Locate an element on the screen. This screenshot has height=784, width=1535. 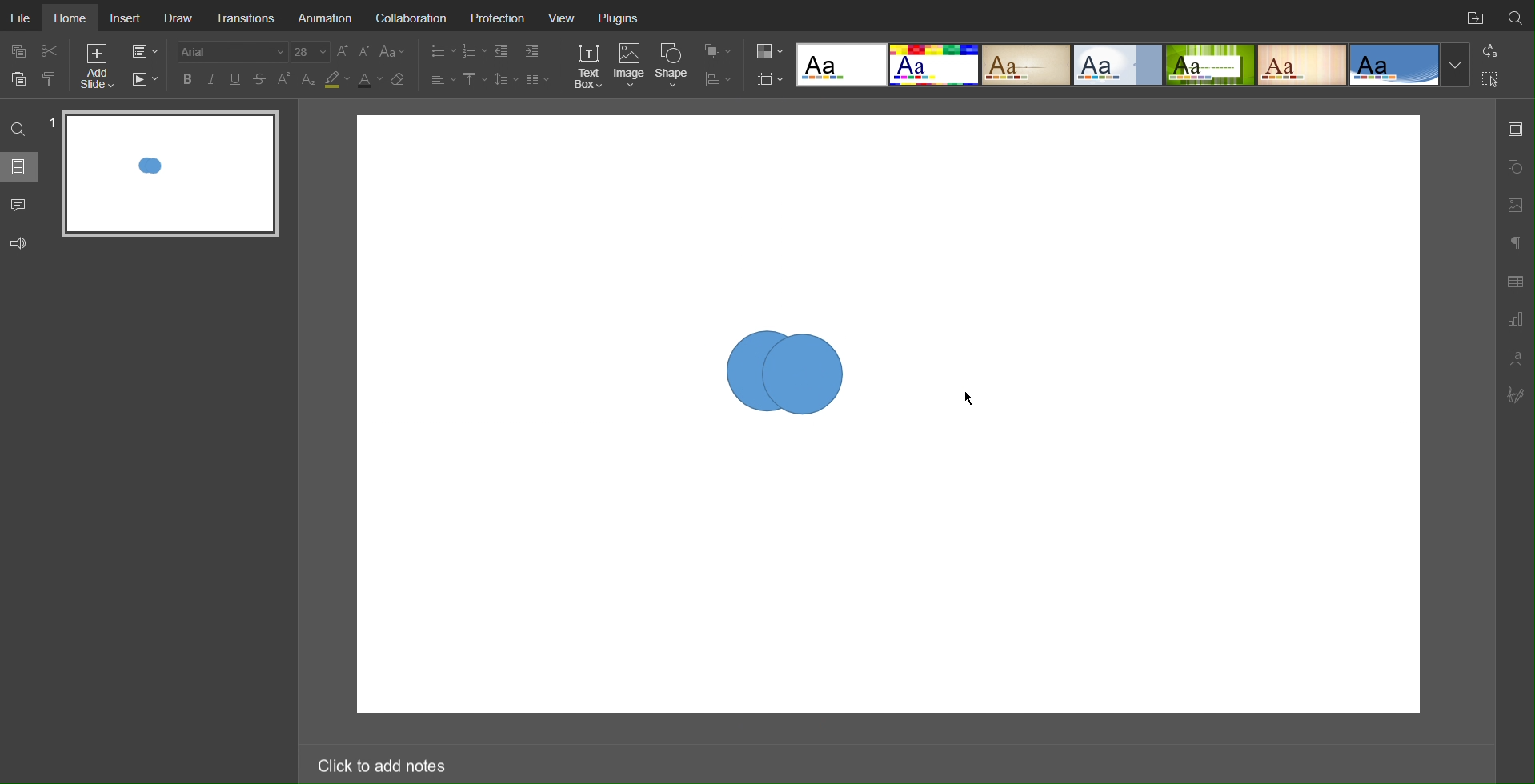
Click to add notes is located at coordinates (380, 762).